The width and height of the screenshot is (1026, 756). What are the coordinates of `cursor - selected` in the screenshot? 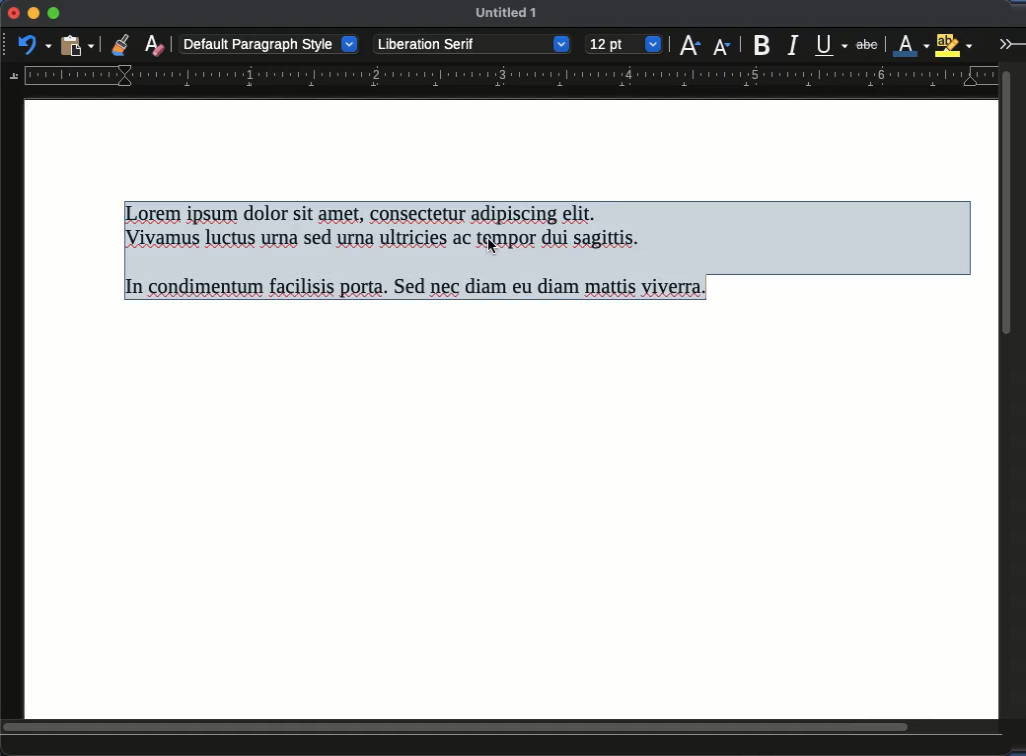 It's located at (492, 249).